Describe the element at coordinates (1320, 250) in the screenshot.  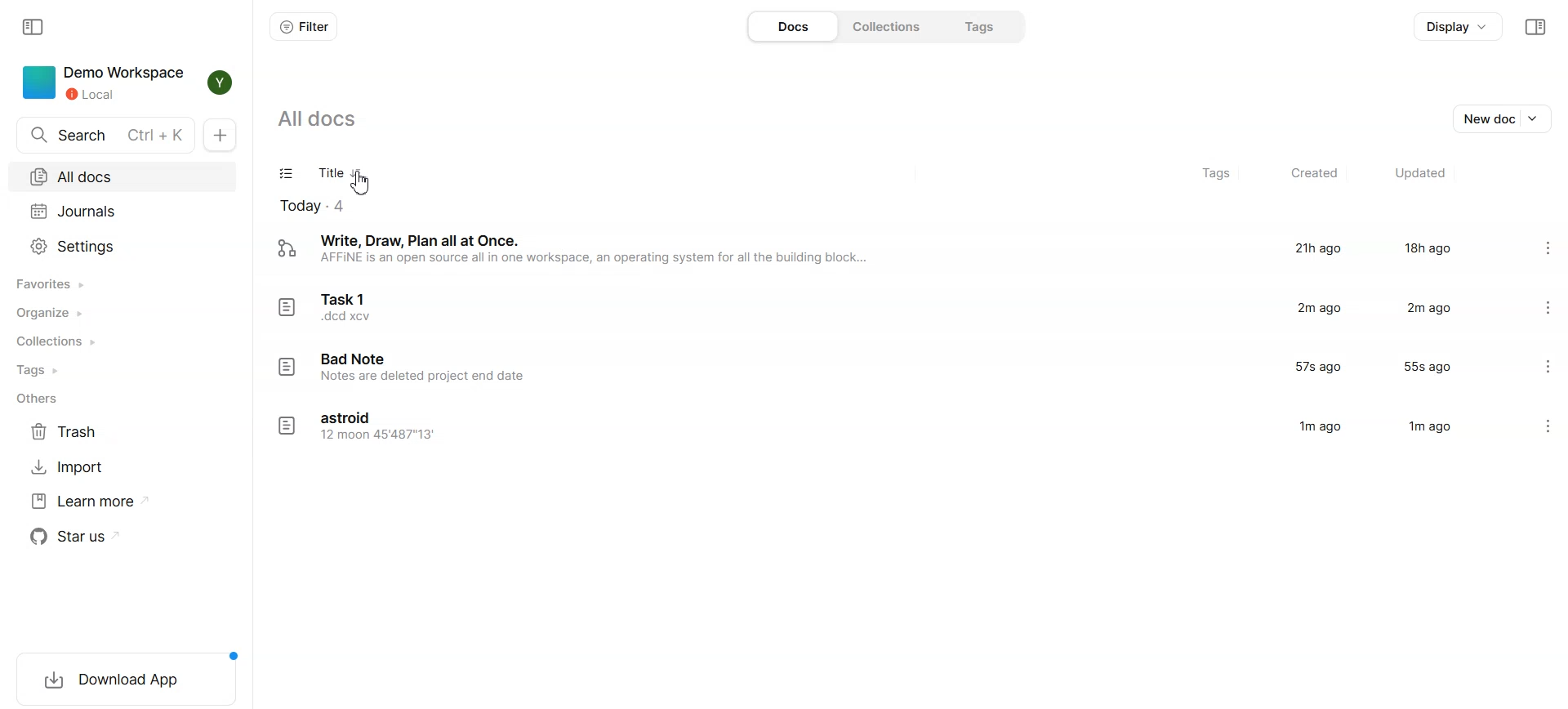
I see `21h ago` at that location.